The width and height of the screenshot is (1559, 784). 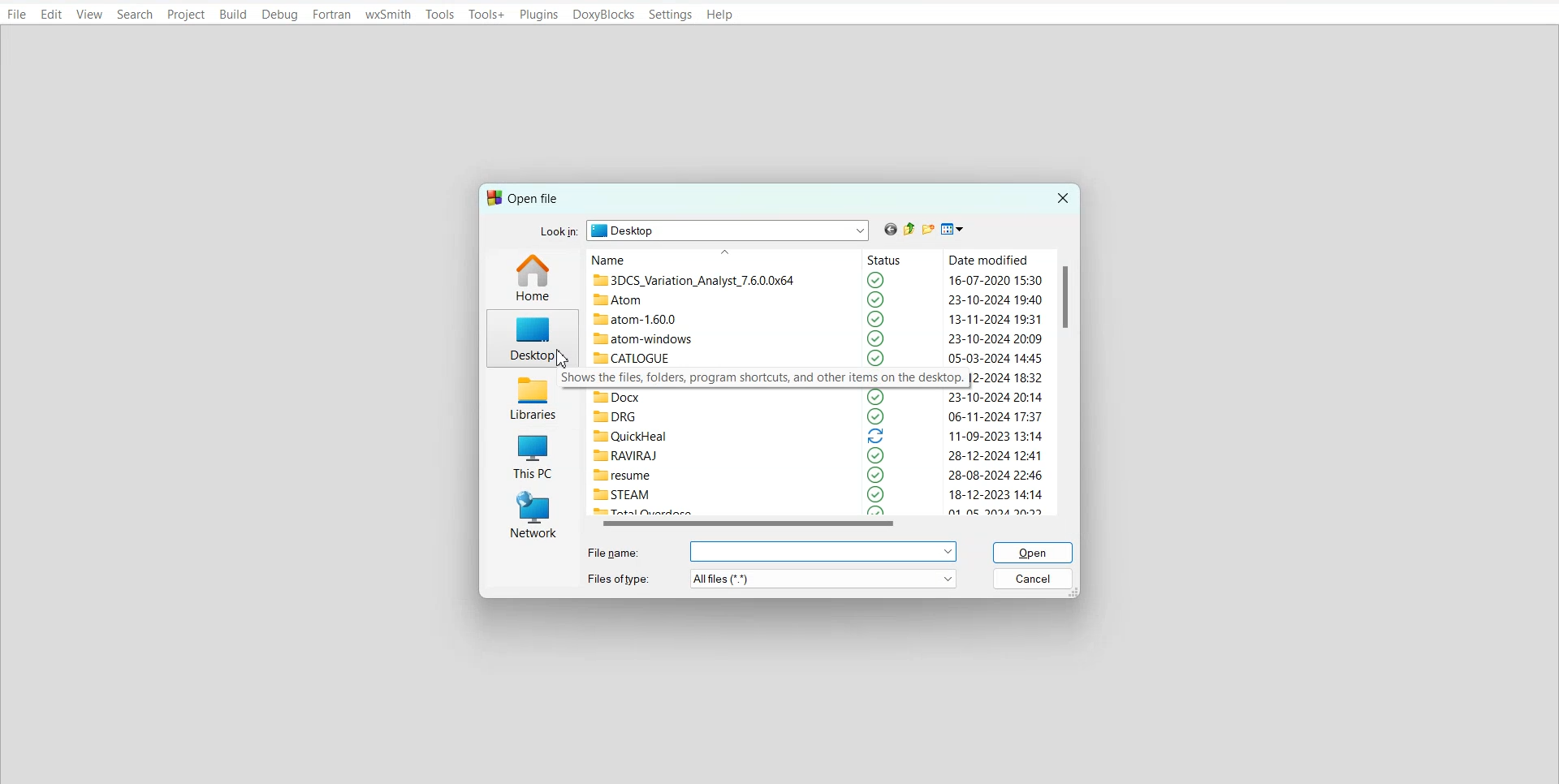 I want to click on 05-03-2024 14:45, so click(x=998, y=357).